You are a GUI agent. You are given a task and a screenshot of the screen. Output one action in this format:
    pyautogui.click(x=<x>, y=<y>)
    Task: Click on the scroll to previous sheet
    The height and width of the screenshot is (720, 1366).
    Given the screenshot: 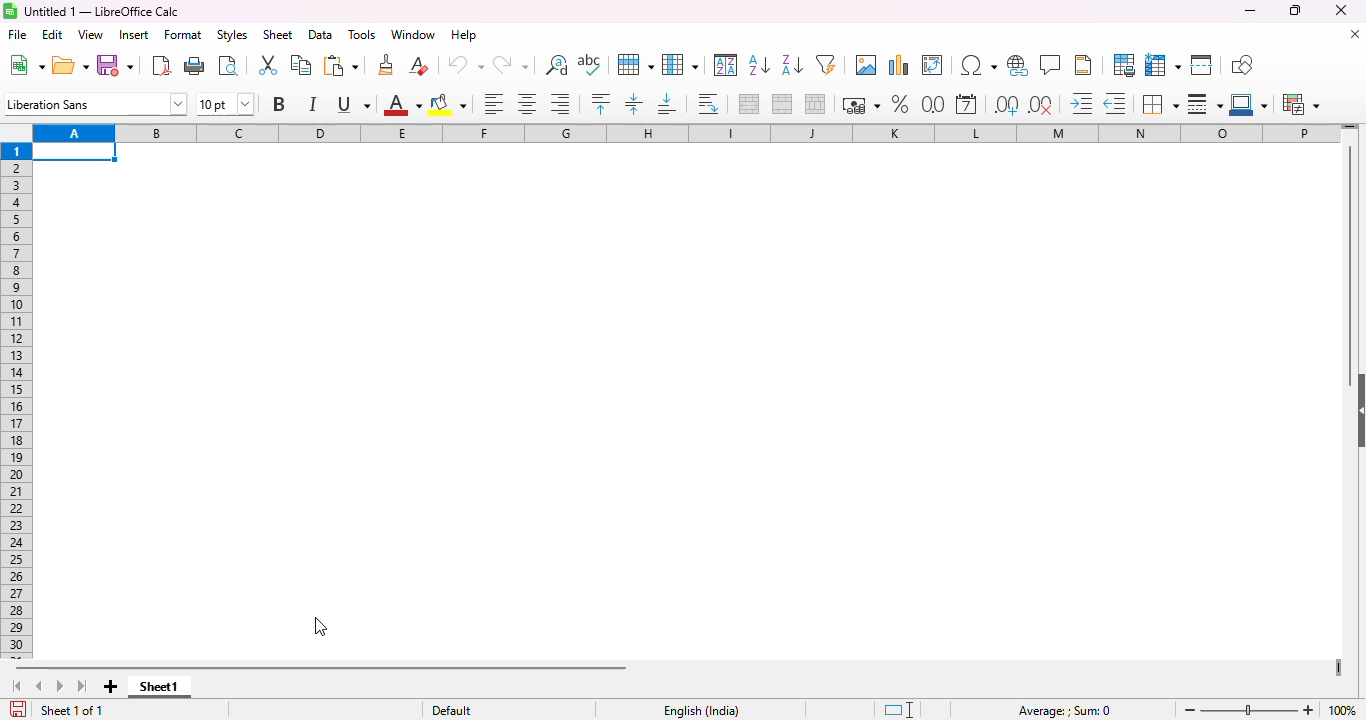 What is the action you would take?
    pyautogui.click(x=38, y=686)
    